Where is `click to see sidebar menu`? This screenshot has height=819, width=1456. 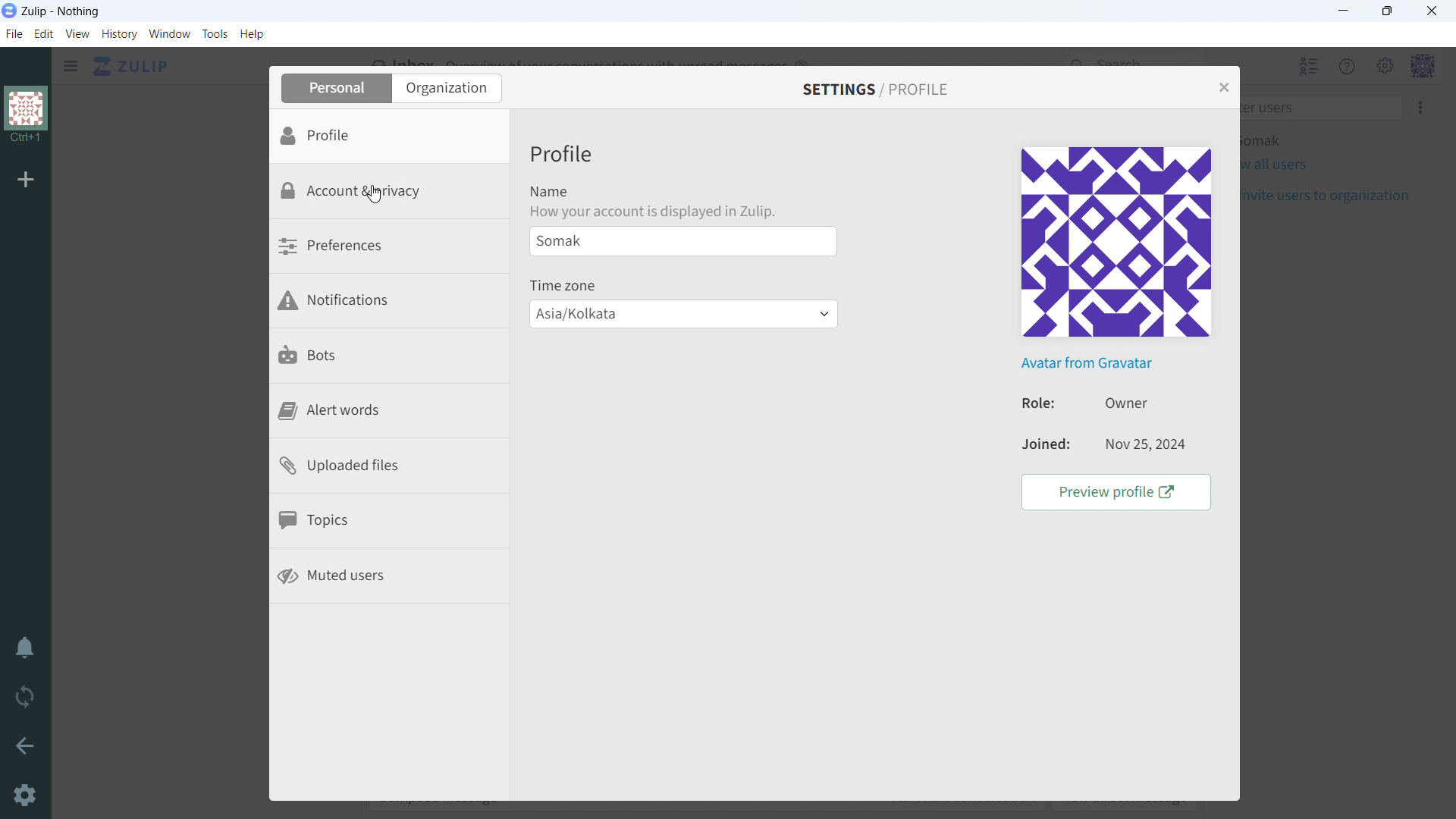 click to see sidebar menu is located at coordinates (71, 66).